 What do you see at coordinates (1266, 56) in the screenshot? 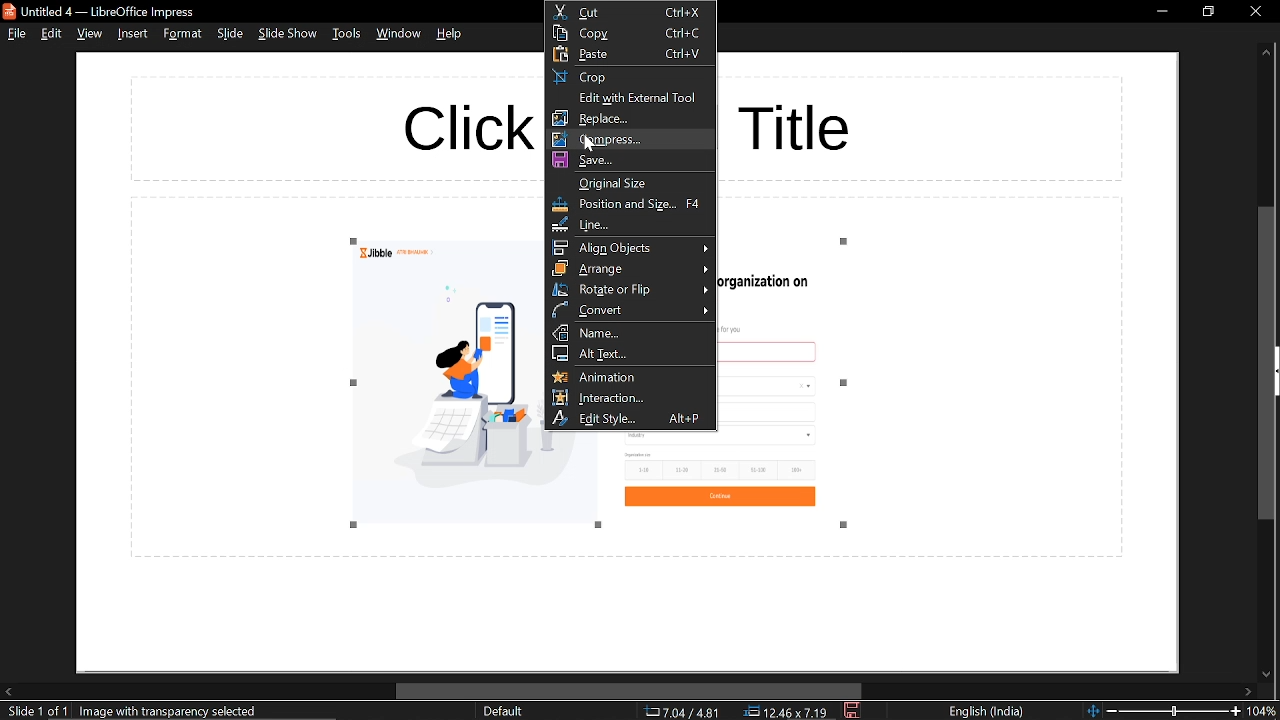
I see `move up` at bounding box center [1266, 56].